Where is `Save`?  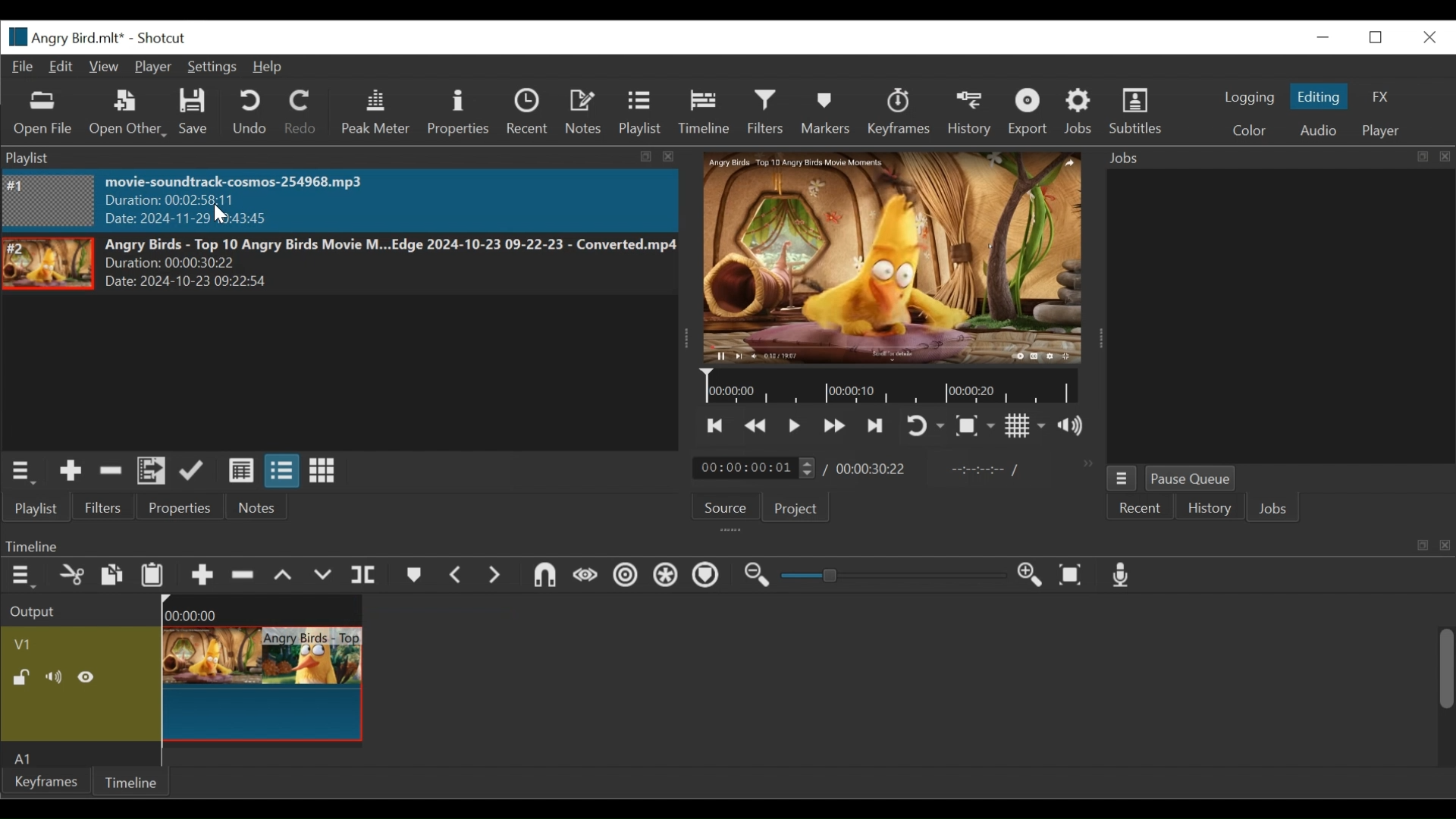 Save is located at coordinates (196, 113).